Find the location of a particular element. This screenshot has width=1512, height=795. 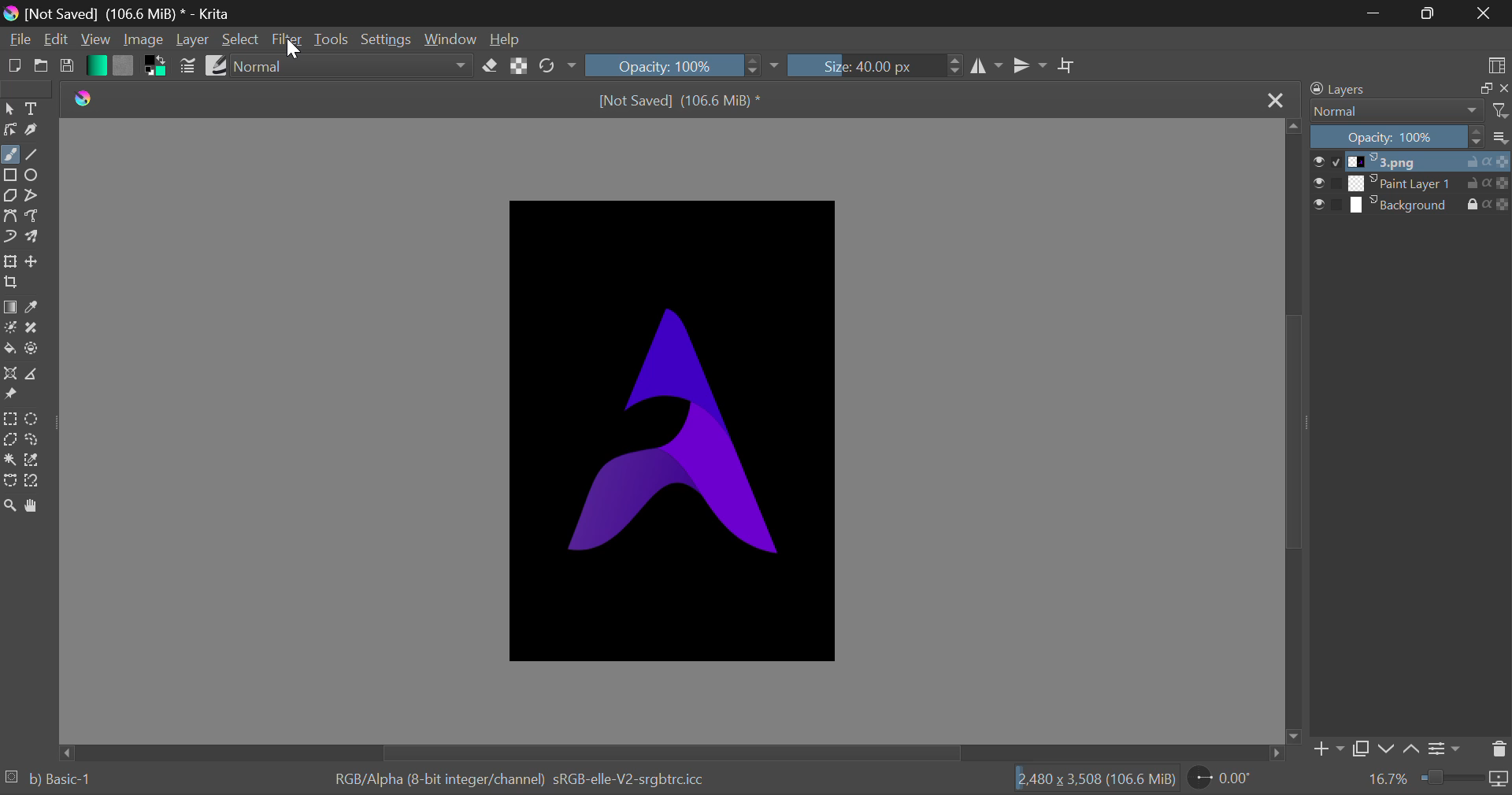

Edit is located at coordinates (54, 41).